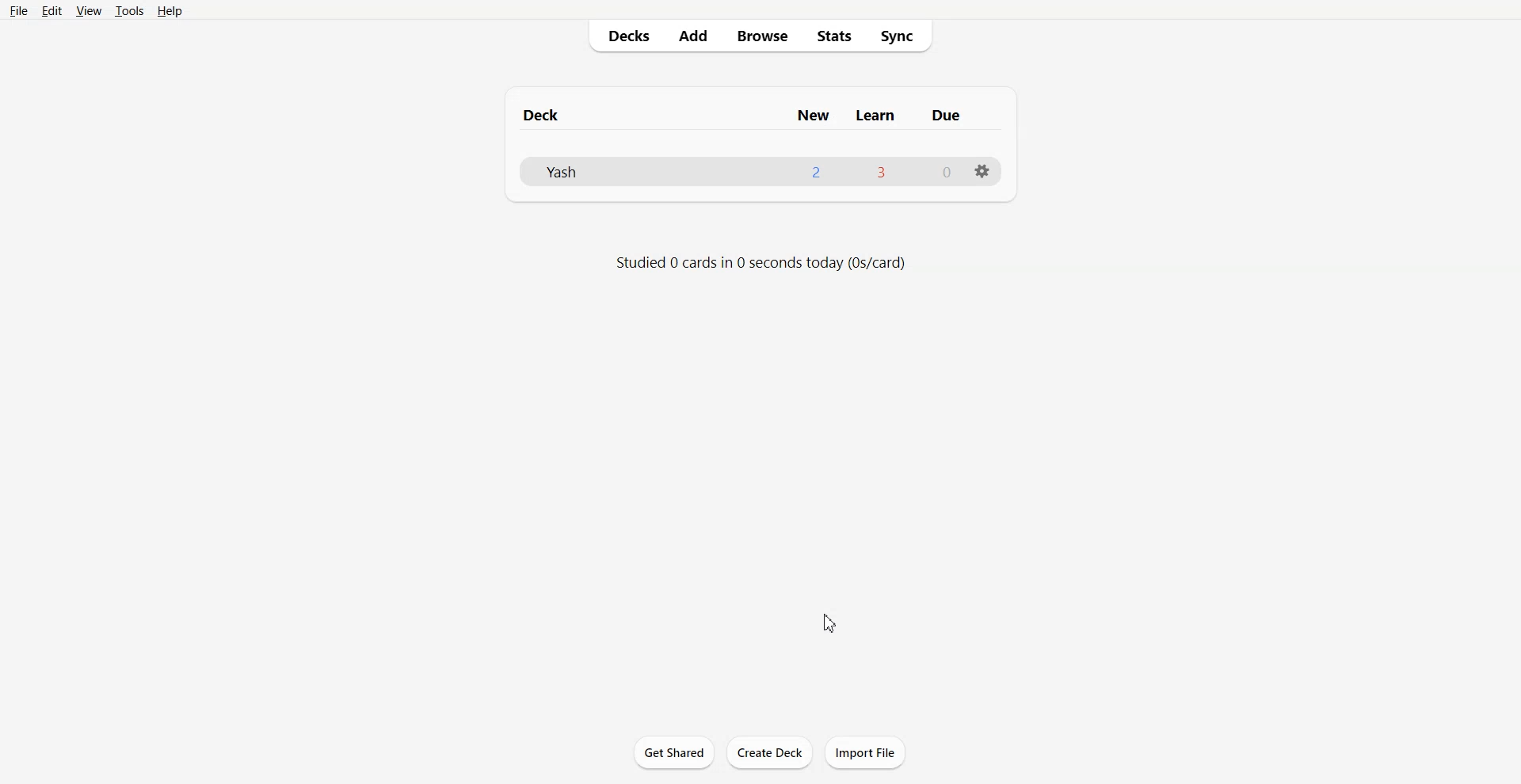 The image size is (1521, 784). What do you see at coordinates (559, 171) in the screenshot?
I see `Yash` at bounding box center [559, 171].